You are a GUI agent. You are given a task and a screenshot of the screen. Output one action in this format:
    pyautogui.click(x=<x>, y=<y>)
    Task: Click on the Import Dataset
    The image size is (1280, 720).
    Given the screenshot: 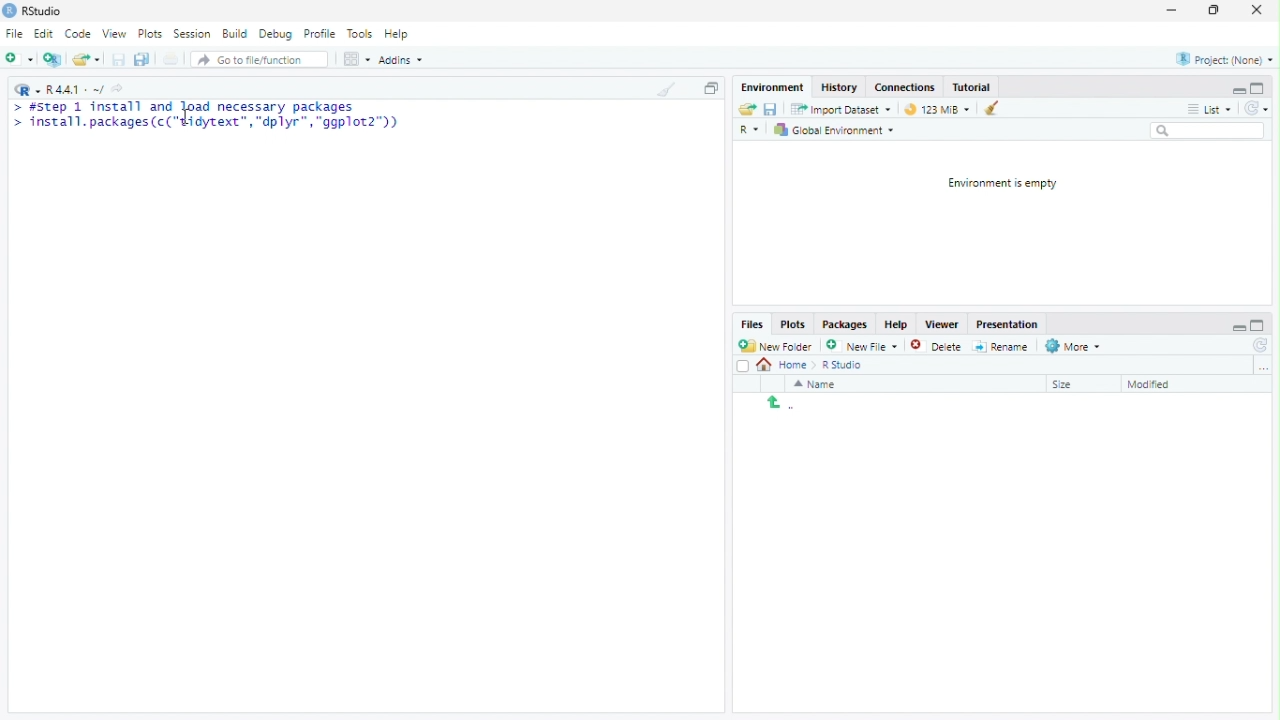 What is the action you would take?
    pyautogui.click(x=844, y=110)
    